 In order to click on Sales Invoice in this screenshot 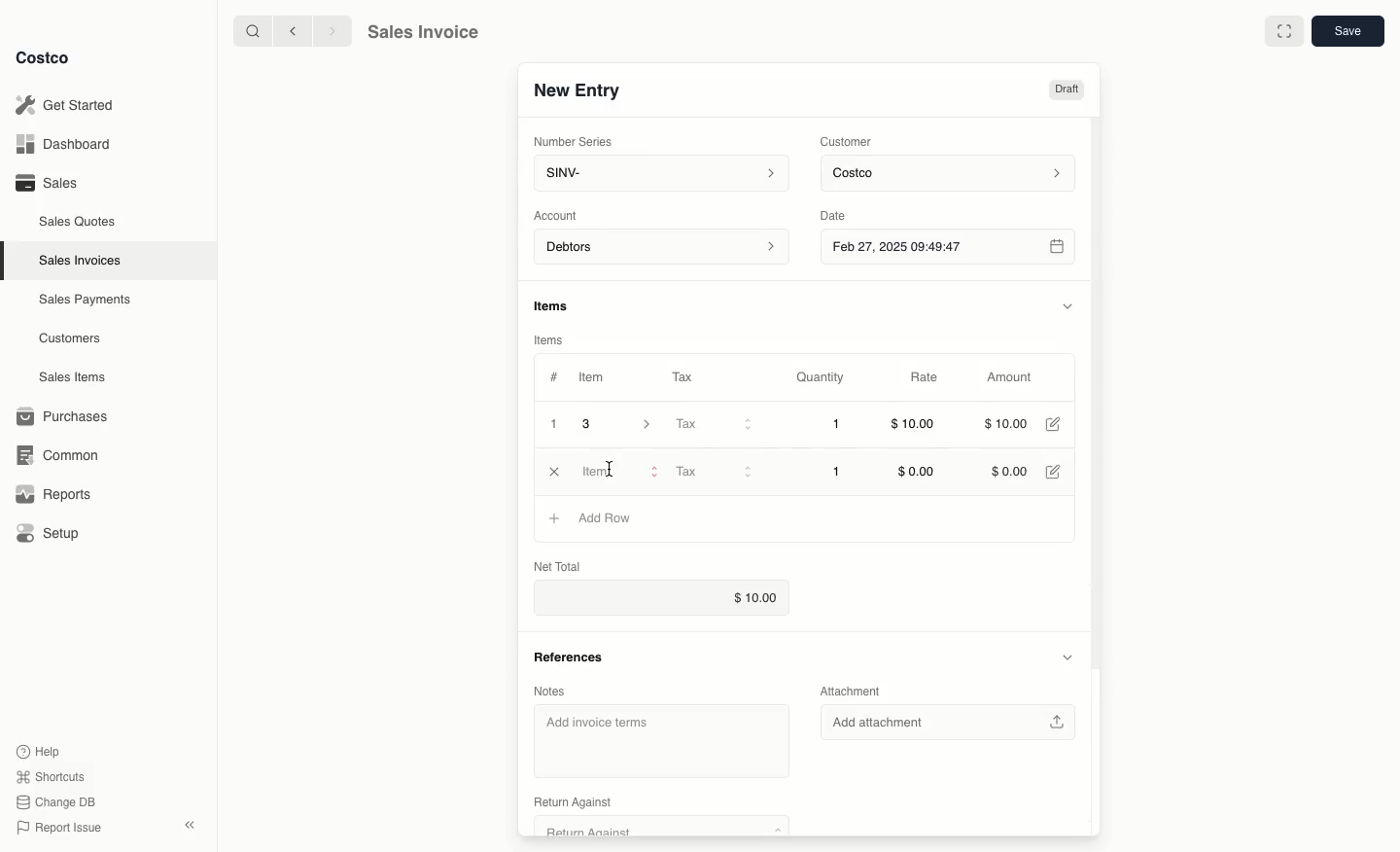, I will do `click(422, 32)`.